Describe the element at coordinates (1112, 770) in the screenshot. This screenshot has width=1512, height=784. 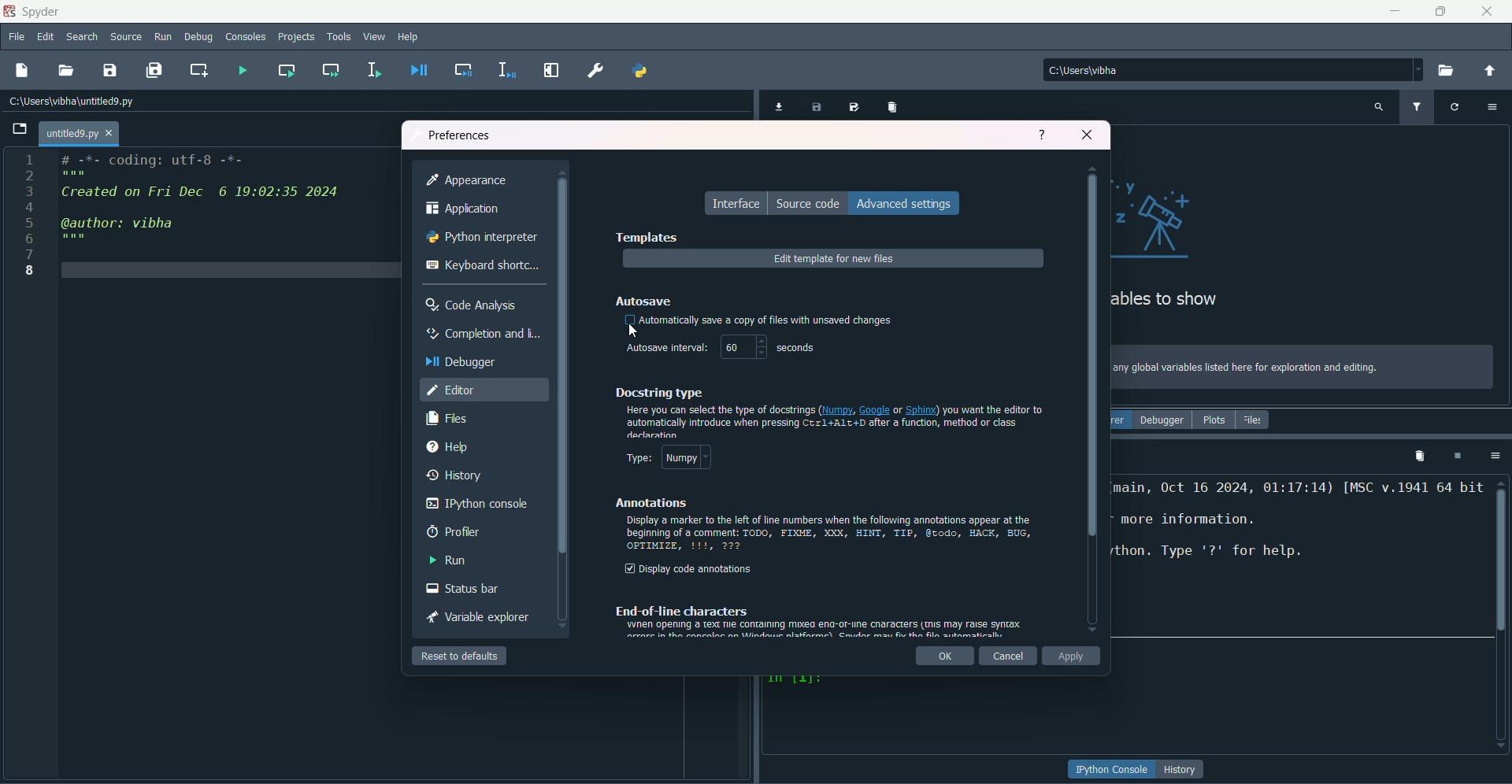
I see `button` at that location.